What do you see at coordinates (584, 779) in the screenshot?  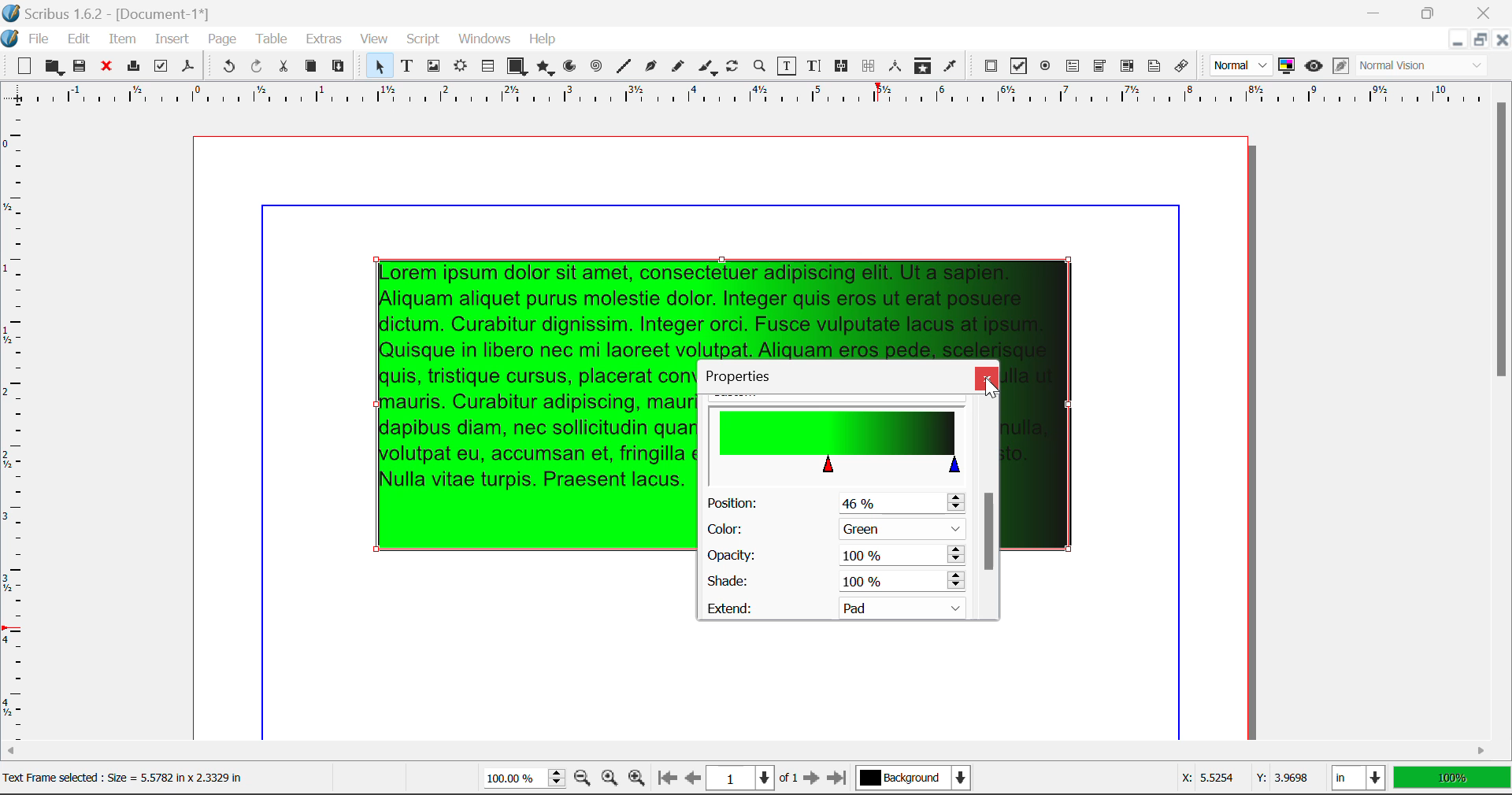 I see `Zoom Out` at bounding box center [584, 779].